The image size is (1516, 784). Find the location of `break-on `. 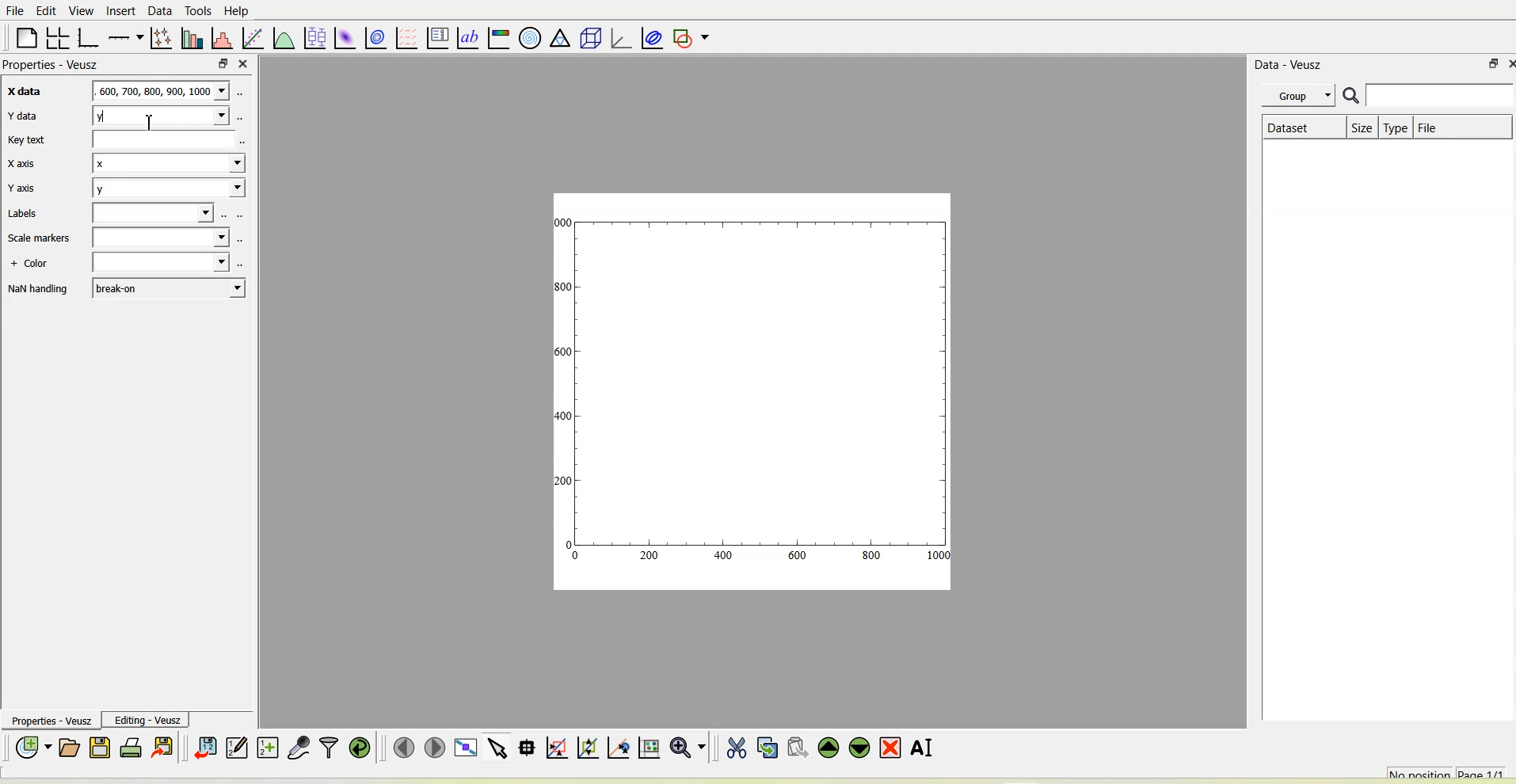

break-on  is located at coordinates (167, 287).